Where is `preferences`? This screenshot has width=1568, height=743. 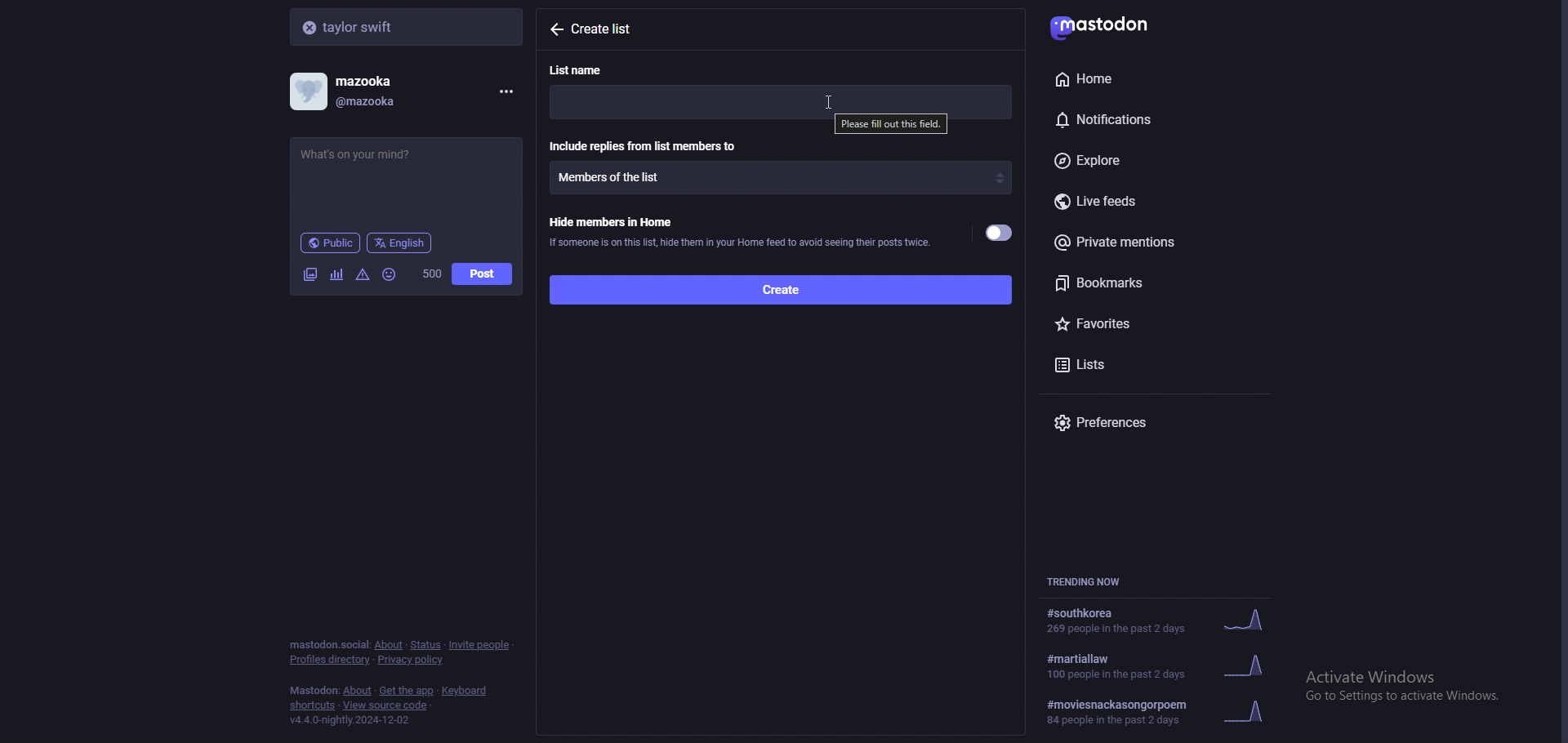 preferences is located at coordinates (1160, 422).